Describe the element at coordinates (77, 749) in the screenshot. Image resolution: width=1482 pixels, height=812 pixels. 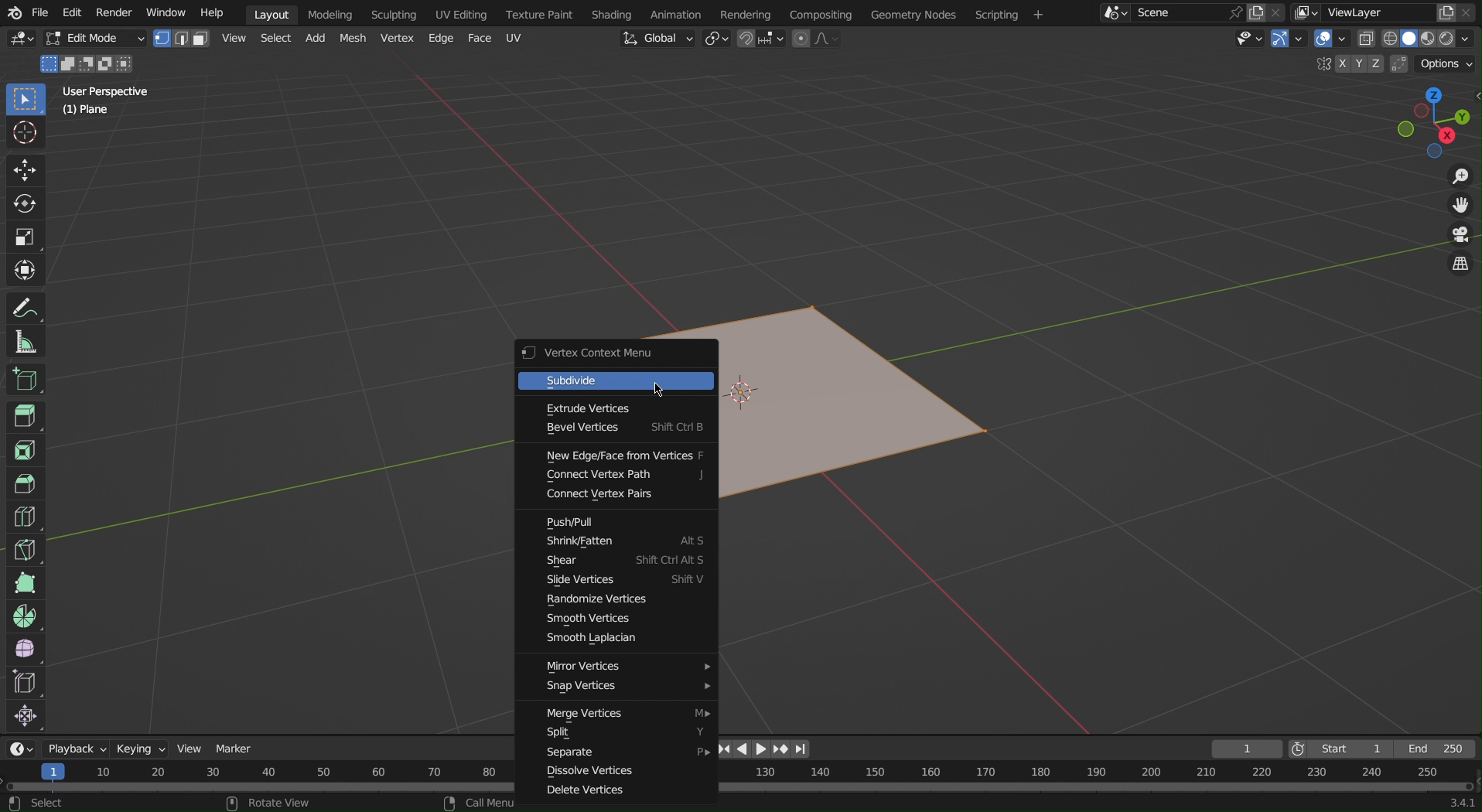
I see `Playback` at that location.